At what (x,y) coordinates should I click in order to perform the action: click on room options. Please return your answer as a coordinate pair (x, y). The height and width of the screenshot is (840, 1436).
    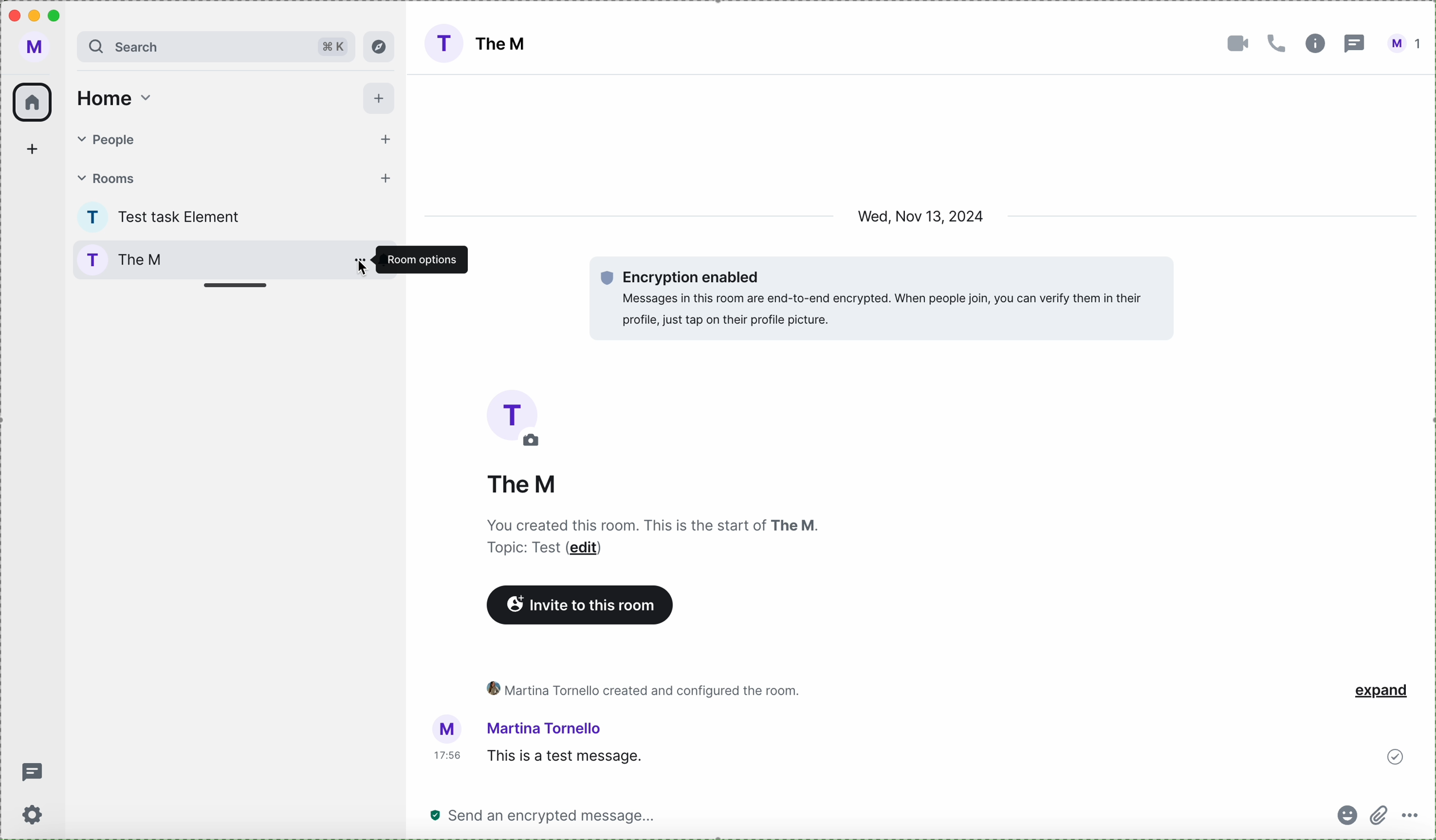
    Looking at the image, I should click on (209, 258).